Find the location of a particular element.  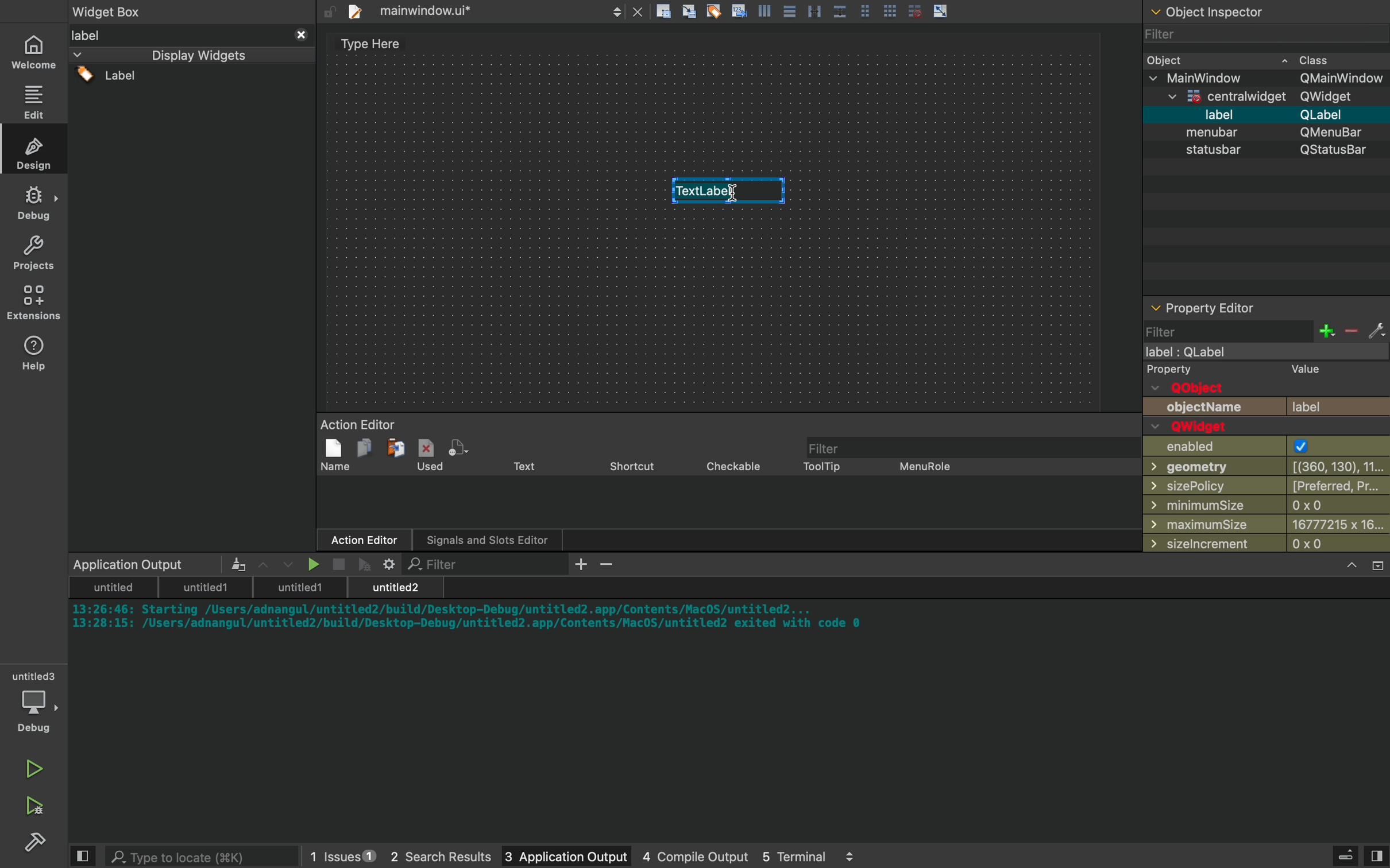

dragged widget is located at coordinates (735, 196).